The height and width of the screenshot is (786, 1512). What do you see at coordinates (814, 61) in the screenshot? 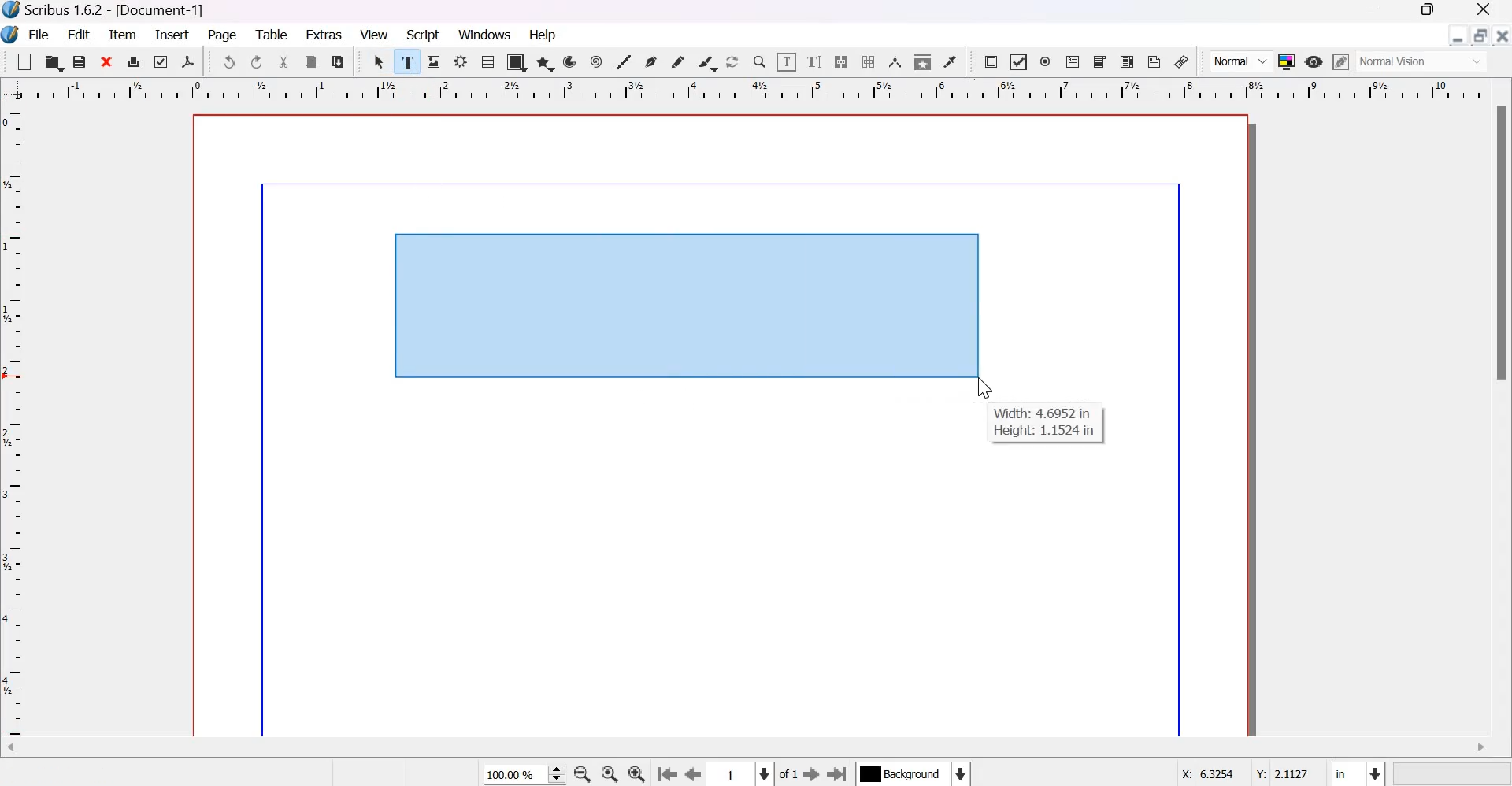
I see `edit text with story editor` at bounding box center [814, 61].